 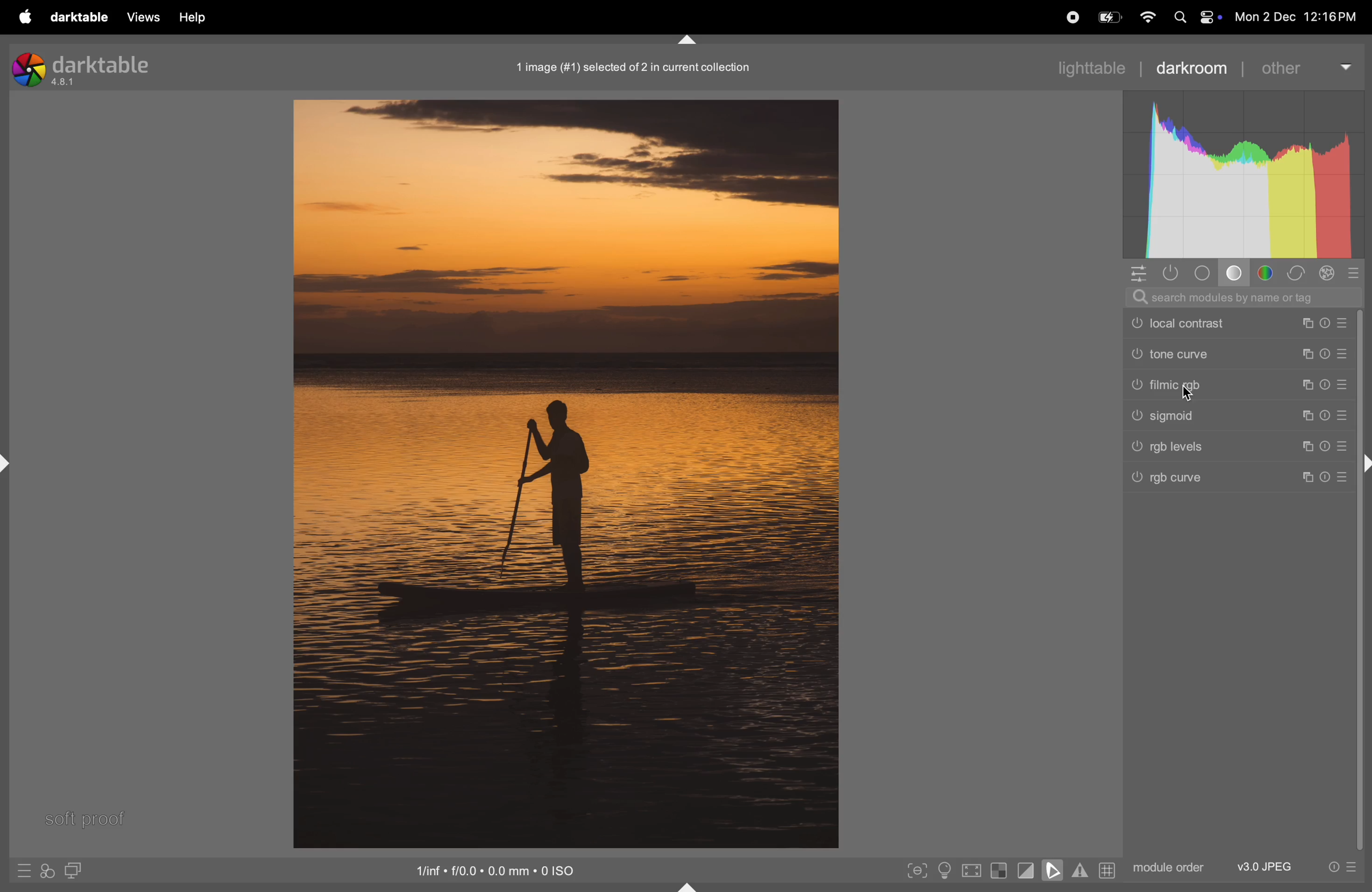 I want to click on color, so click(x=1269, y=273).